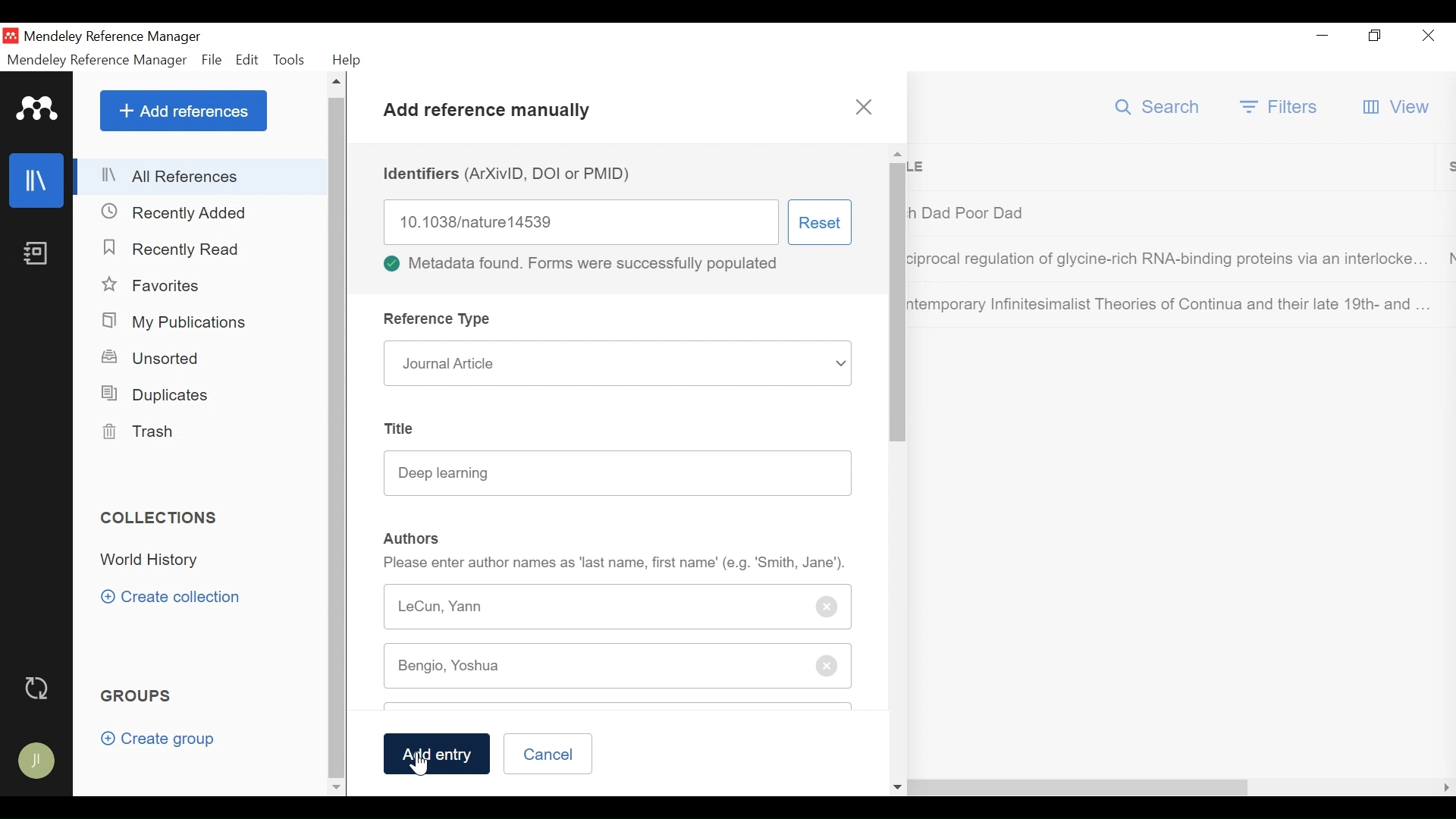 This screenshot has height=819, width=1456. What do you see at coordinates (38, 254) in the screenshot?
I see `Notebook` at bounding box center [38, 254].